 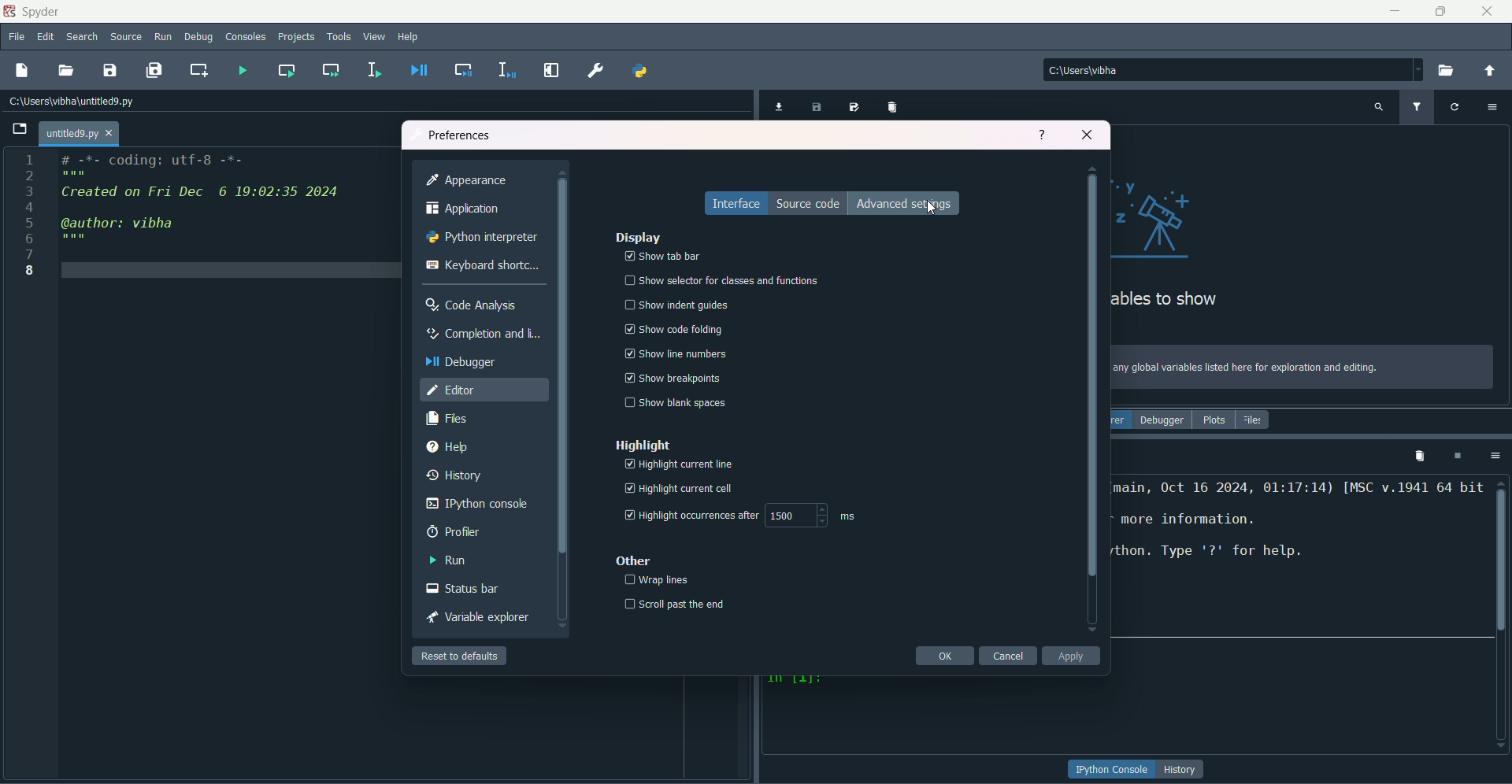 I want to click on help, so click(x=1043, y=135).